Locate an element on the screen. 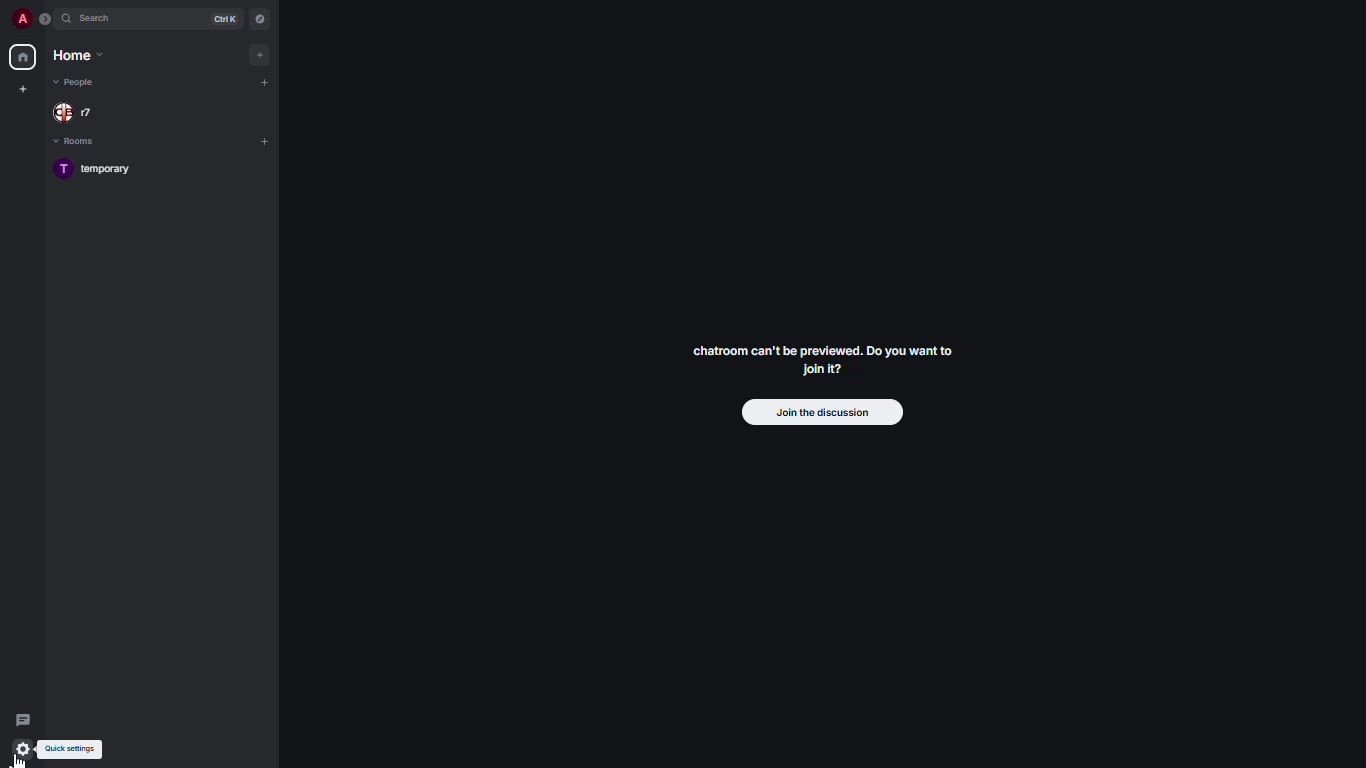 The image size is (1366, 768). add is located at coordinates (264, 139).